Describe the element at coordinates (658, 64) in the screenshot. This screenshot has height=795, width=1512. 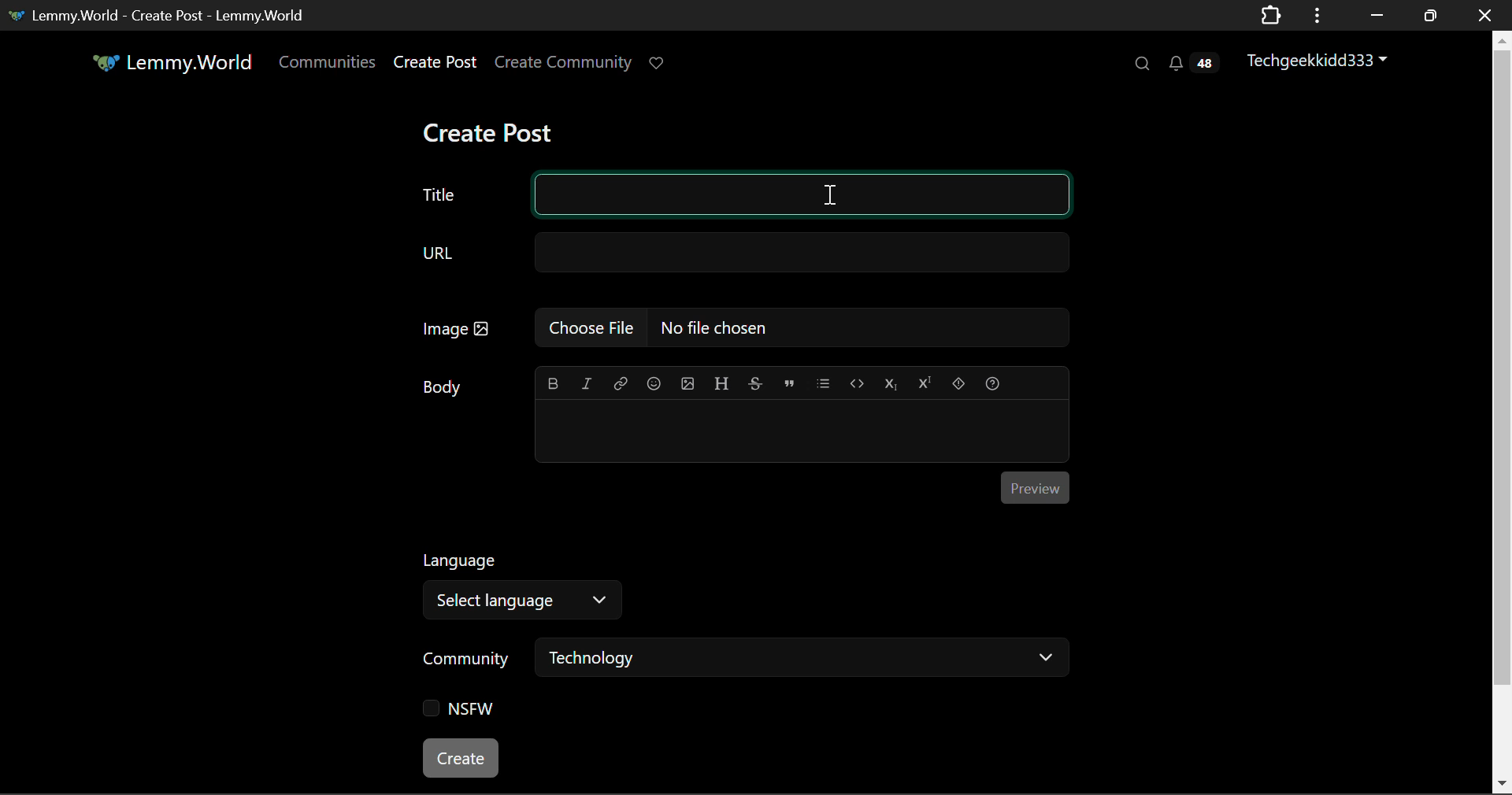
I see `Donate to Lemmy` at that location.